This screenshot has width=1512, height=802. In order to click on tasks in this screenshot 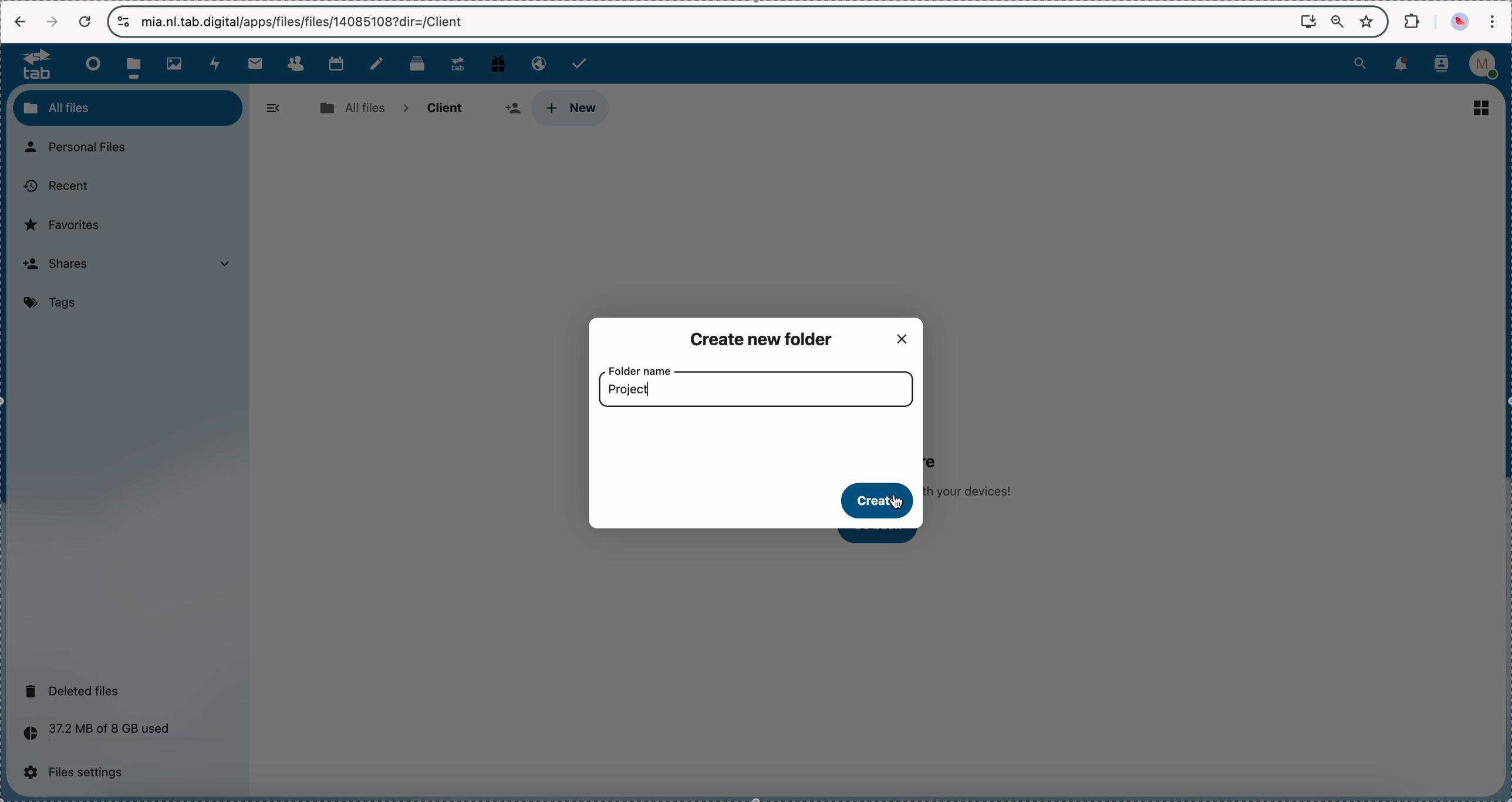, I will do `click(581, 63)`.